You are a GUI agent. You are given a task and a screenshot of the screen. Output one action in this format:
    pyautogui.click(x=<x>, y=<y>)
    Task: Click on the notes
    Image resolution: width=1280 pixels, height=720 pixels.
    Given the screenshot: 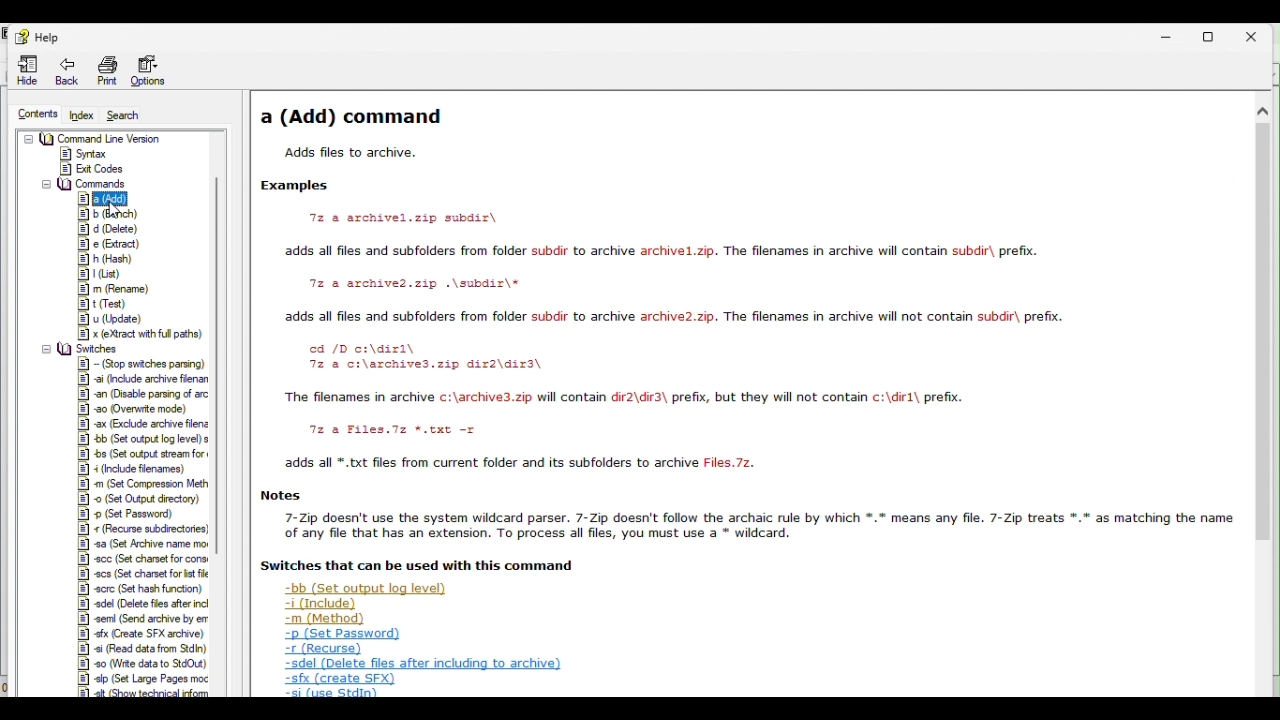 What is the action you would take?
    pyautogui.click(x=282, y=496)
    